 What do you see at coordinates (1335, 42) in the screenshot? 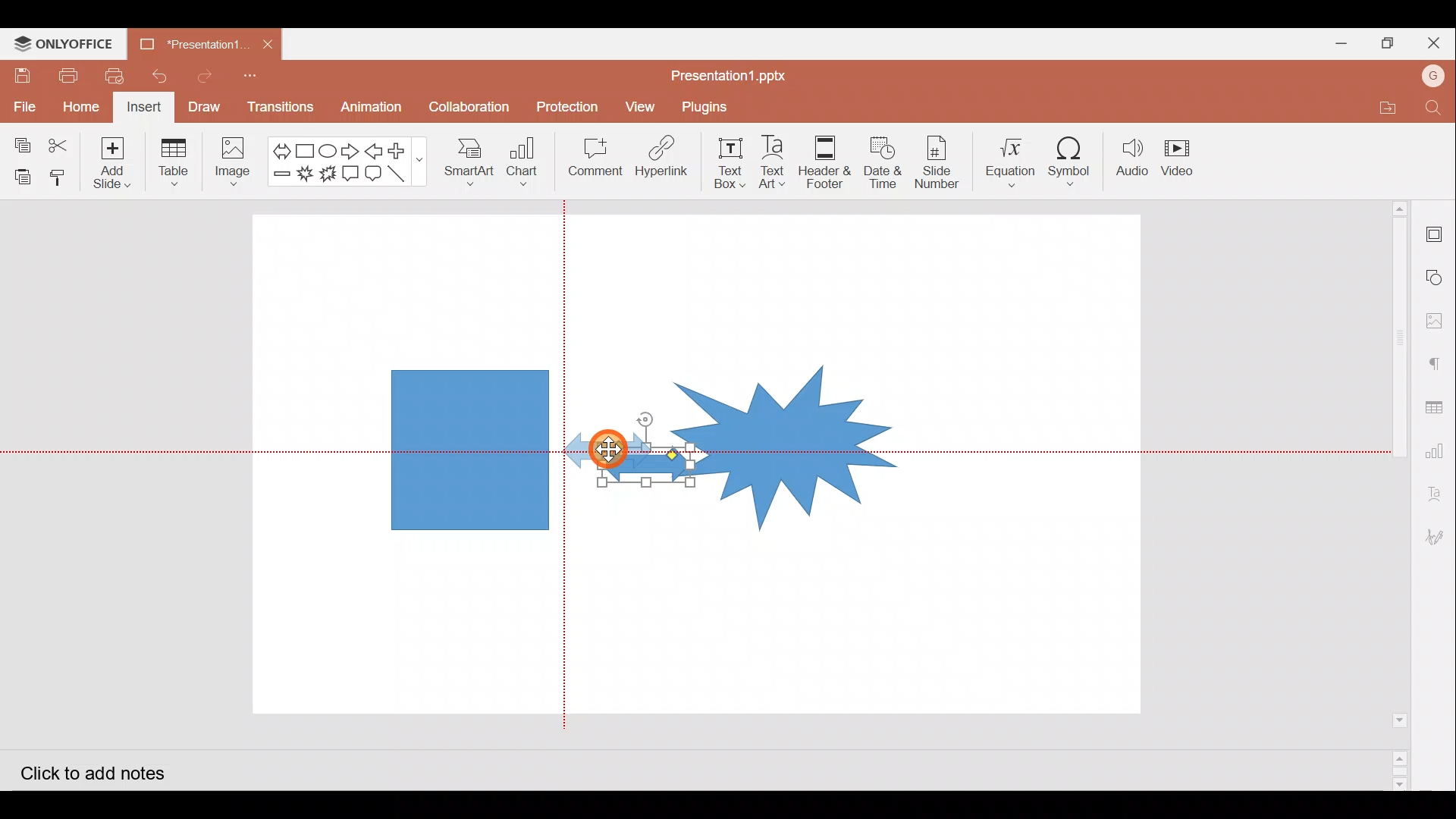
I see `Minimize` at bounding box center [1335, 42].